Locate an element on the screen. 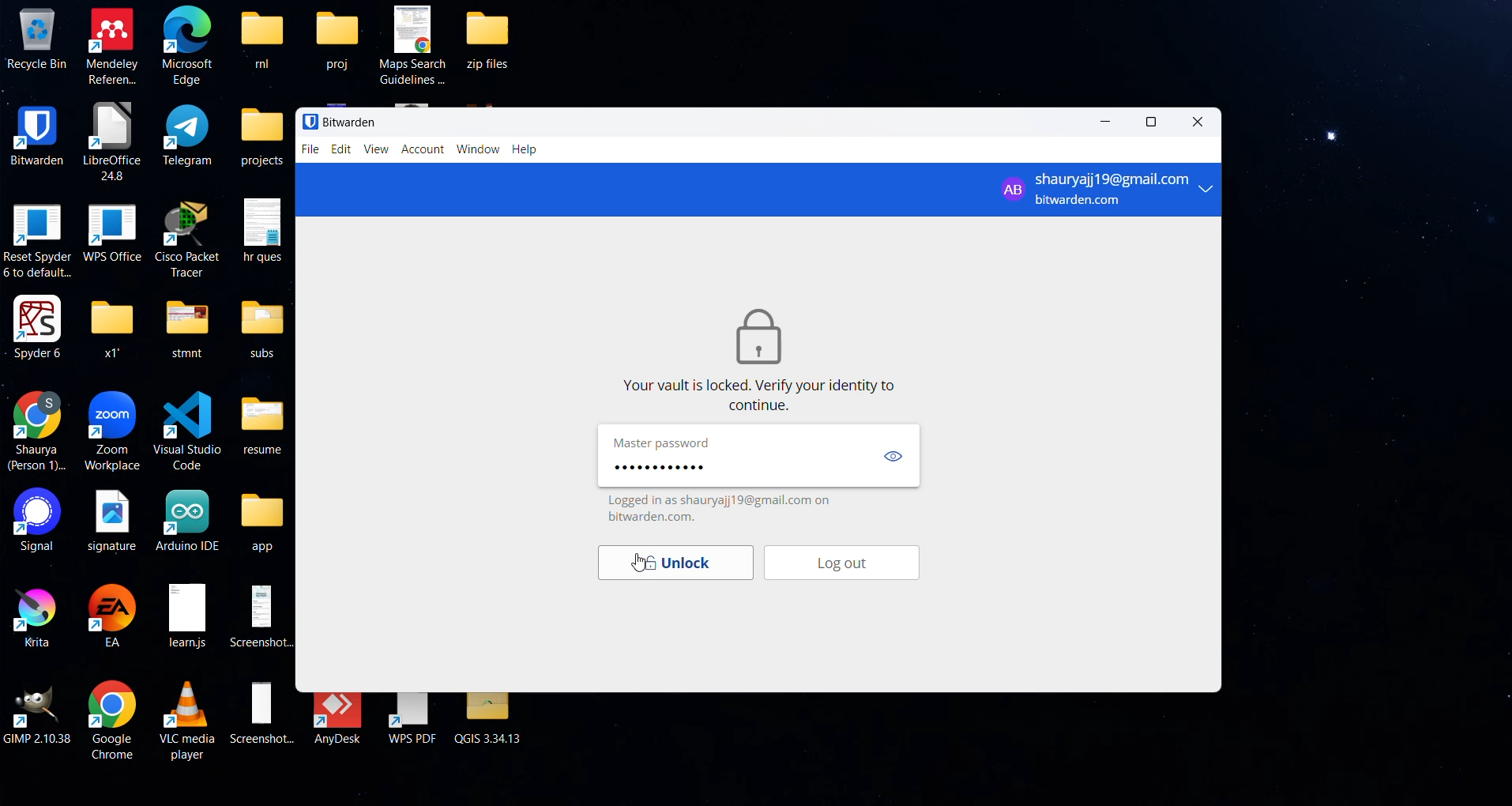  edit is located at coordinates (340, 149).